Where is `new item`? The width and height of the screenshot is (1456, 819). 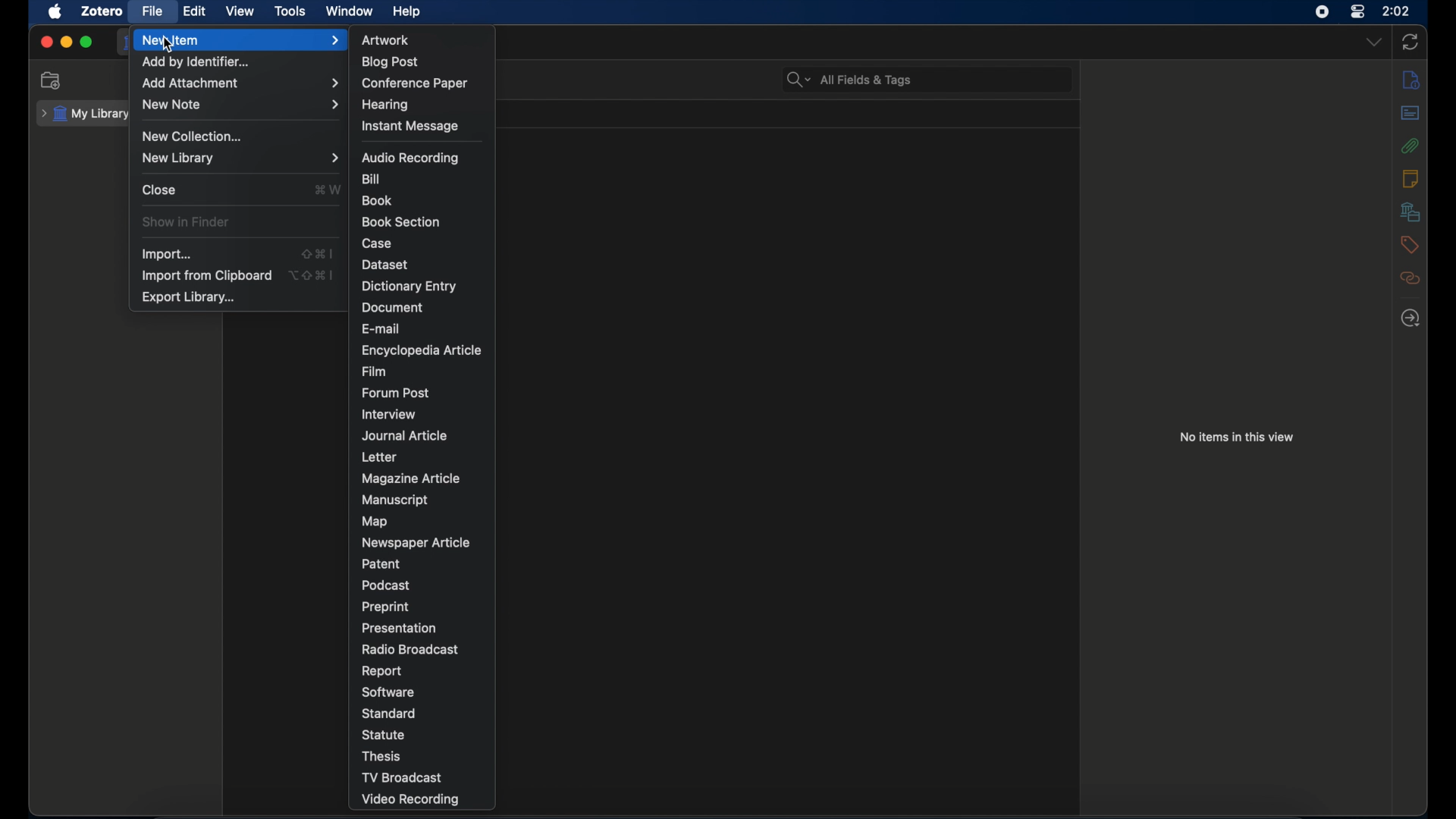
new item is located at coordinates (244, 40).